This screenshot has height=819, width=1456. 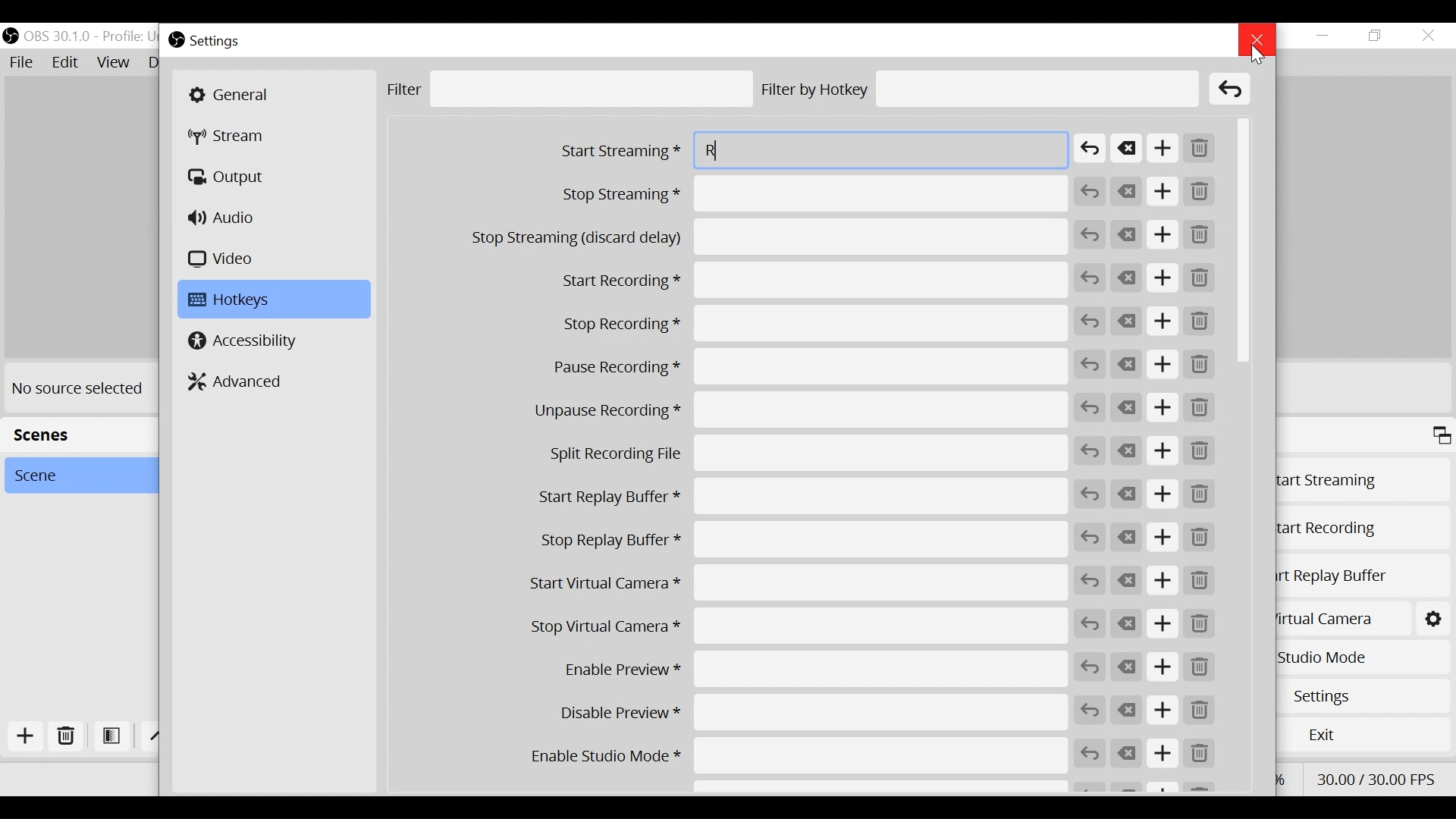 I want to click on Clear, so click(x=1127, y=536).